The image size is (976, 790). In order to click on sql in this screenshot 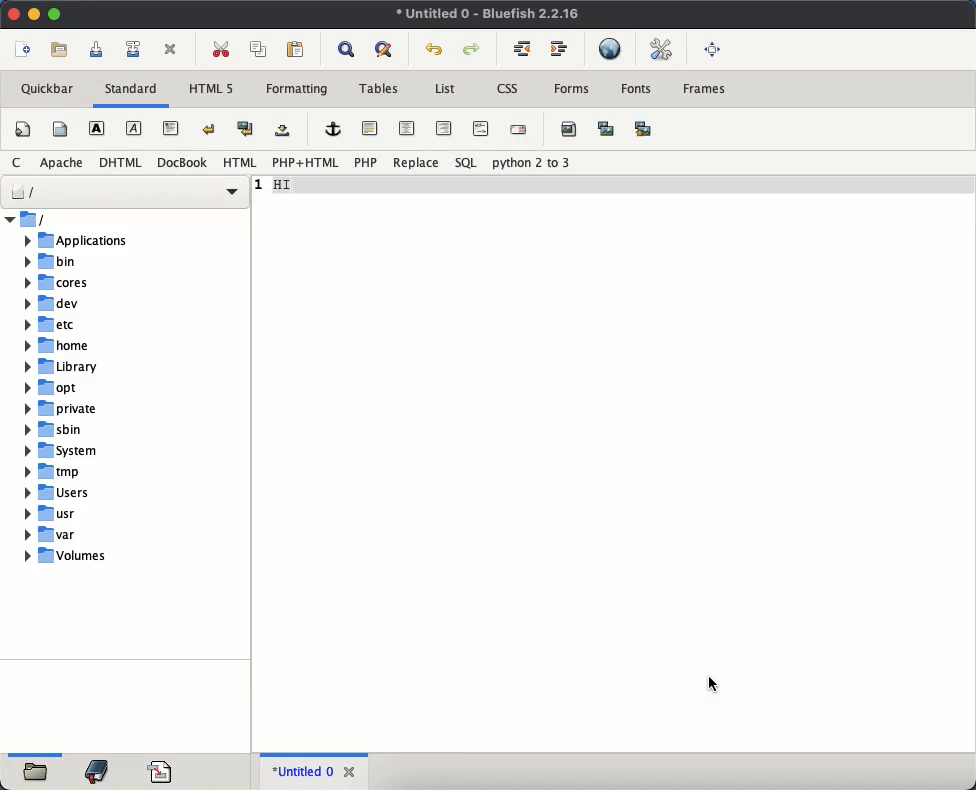, I will do `click(468, 163)`.